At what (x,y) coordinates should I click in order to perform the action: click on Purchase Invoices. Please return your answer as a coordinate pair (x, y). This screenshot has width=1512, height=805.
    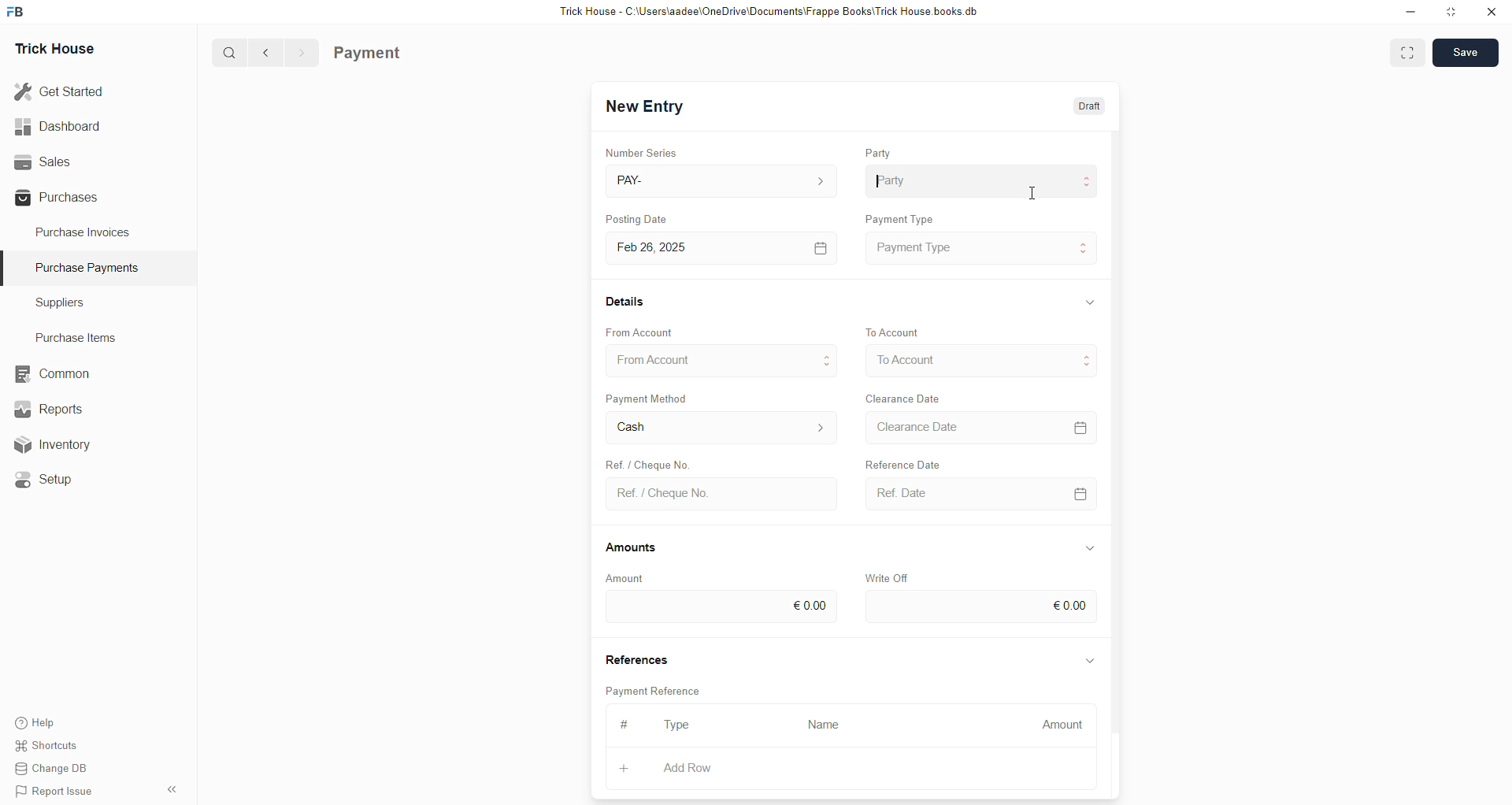
    Looking at the image, I should click on (81, 235).